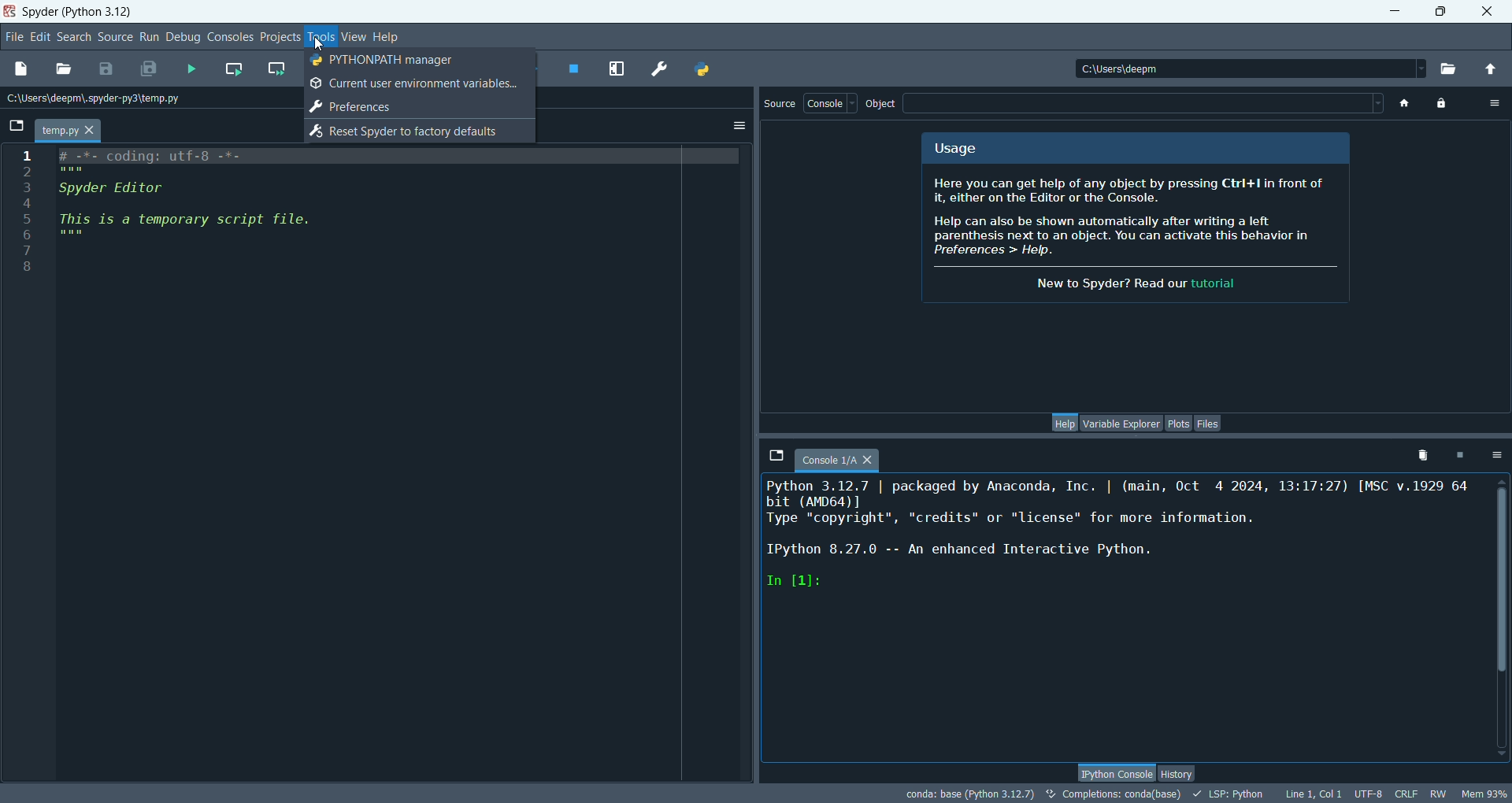 This screenshot has width=1512, height=803. Describe the element at coordinates (1494, 68) in the screenshot. I see `change to parent directory` at that location.